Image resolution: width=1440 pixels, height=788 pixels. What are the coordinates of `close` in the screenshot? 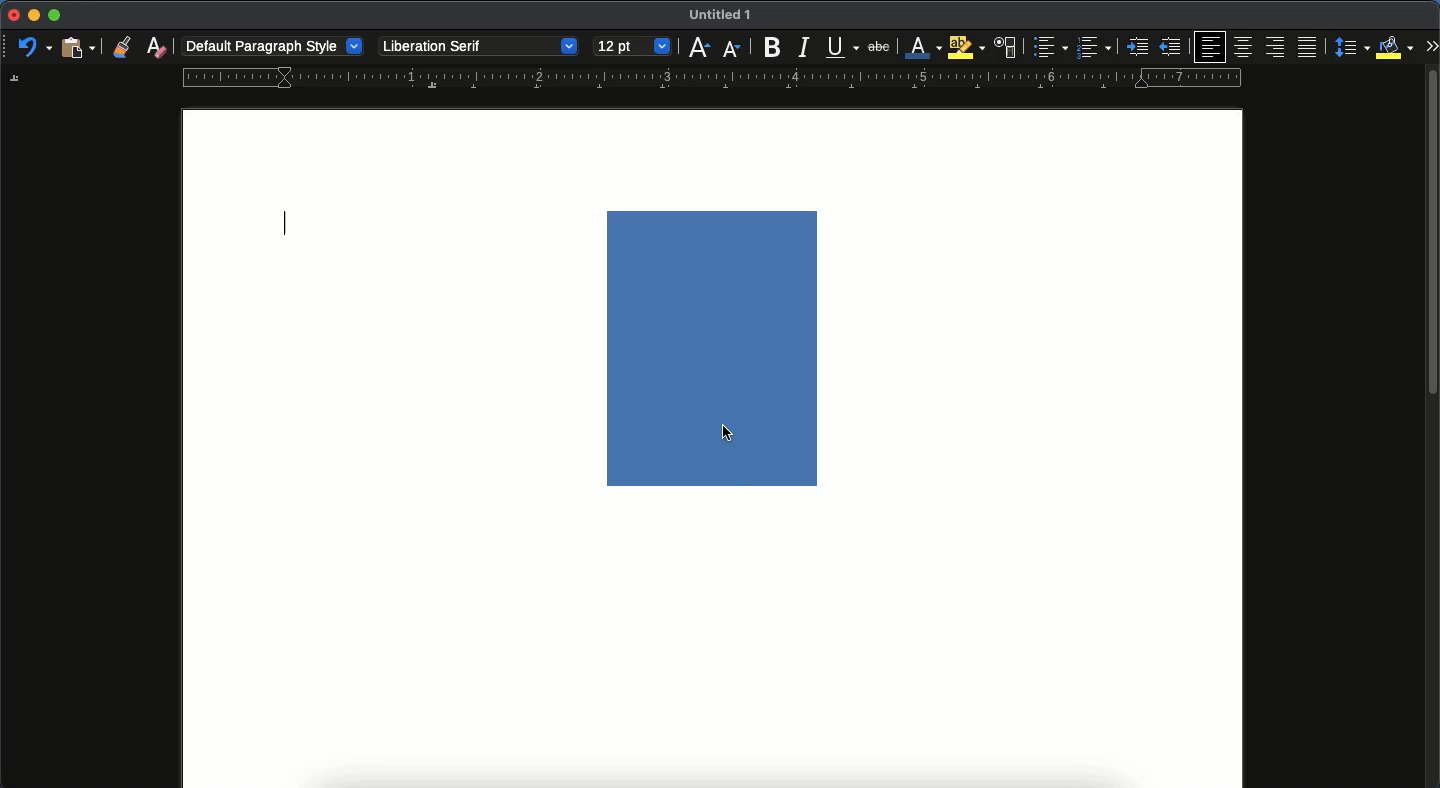 It's located at (12, 16).